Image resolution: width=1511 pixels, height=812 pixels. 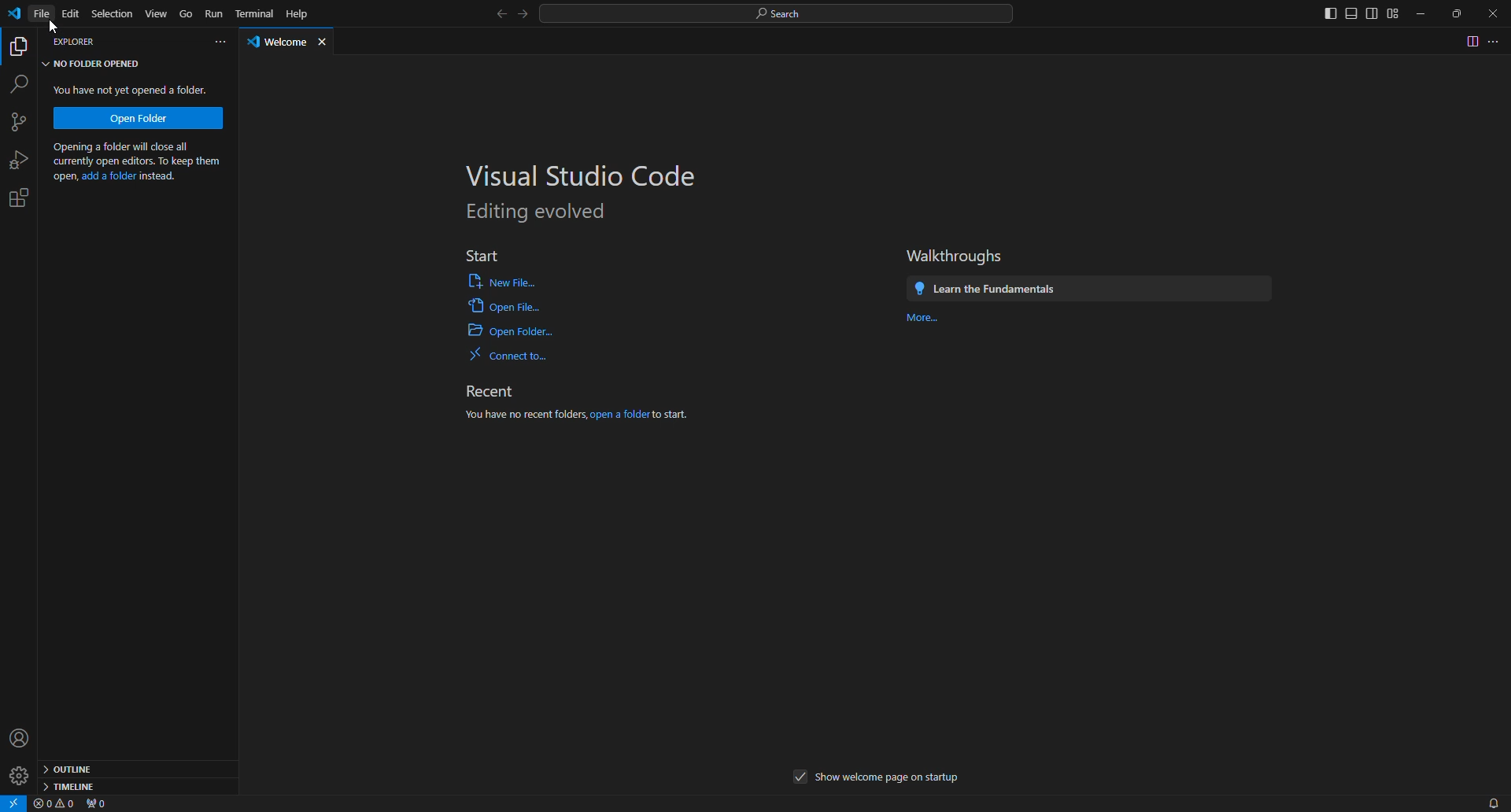 What do you see at coordinates (1488, 802) in the screenshot?
I see `notifications` at bounding box center [1488, 802].